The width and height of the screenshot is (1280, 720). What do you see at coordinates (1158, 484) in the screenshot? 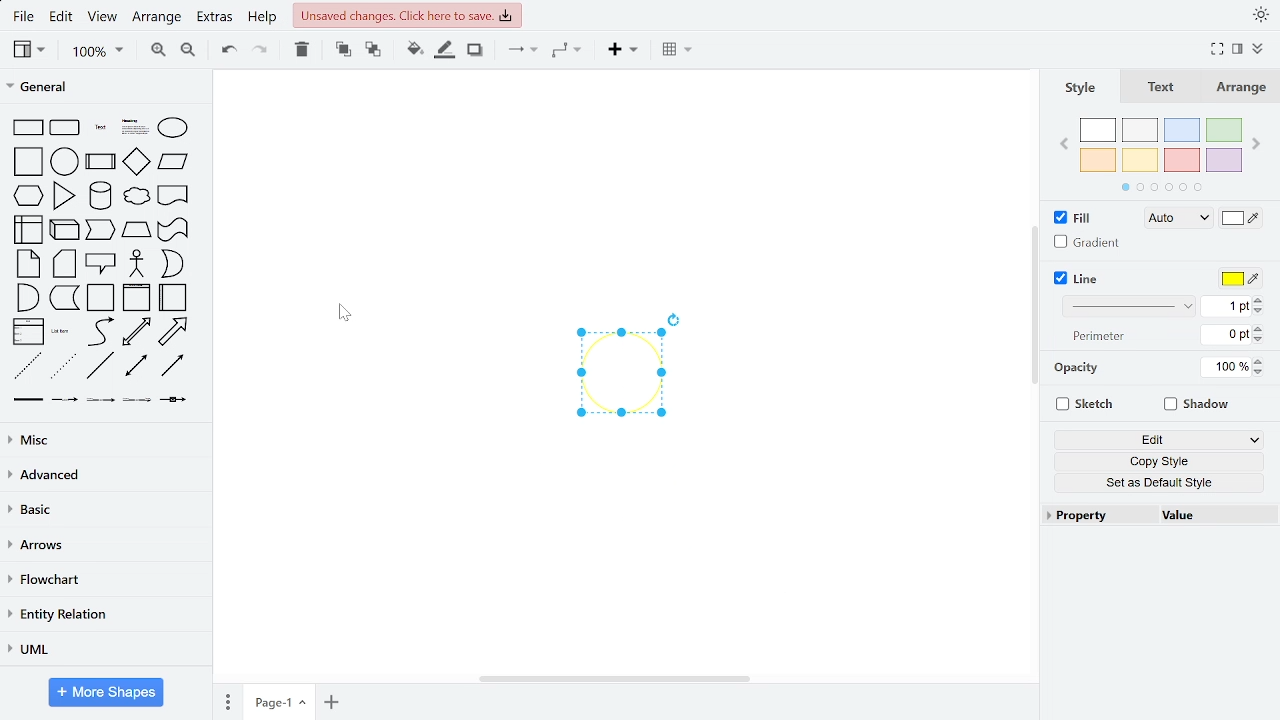
I see `set as default style` at bounding box center [1158, 484].